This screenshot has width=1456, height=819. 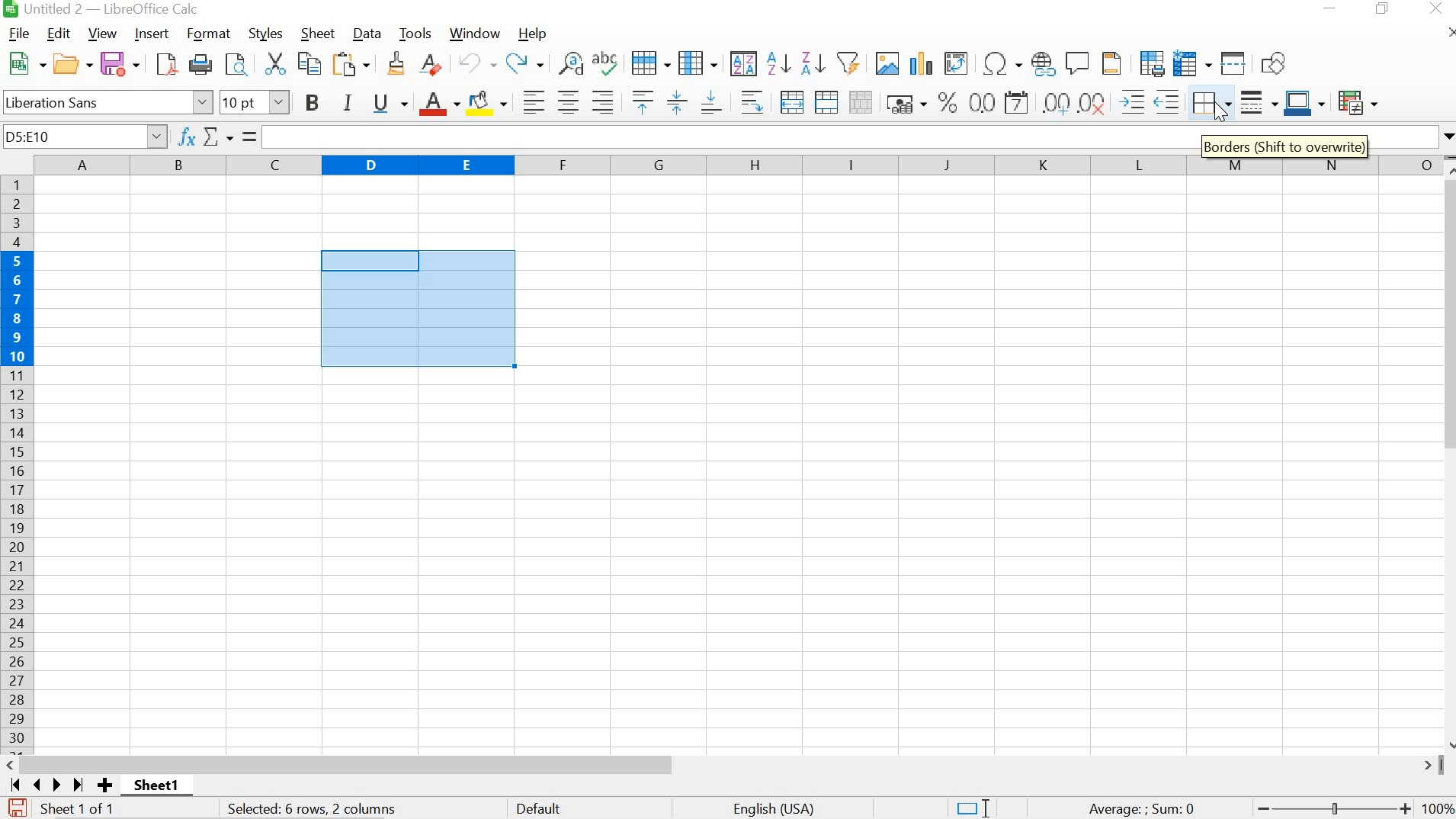 What do you see at coordinates (187, 136) in the screenshot?
I see `function wizard` at bounding box center [187, 136].